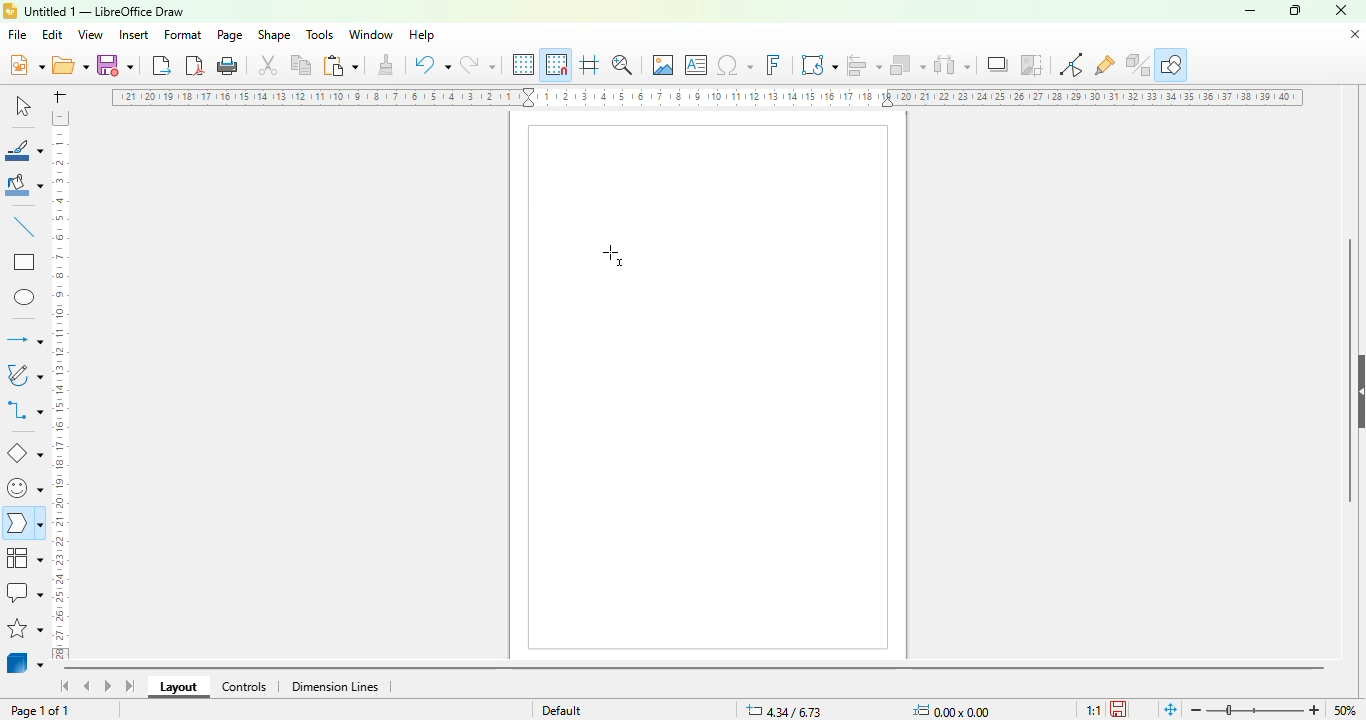 The width and height of the screenshot is (1366, 720). What do you see at coordinates (25, 454) in the screenshot?
I see `basic shapes` at bounding box center [25, 454].